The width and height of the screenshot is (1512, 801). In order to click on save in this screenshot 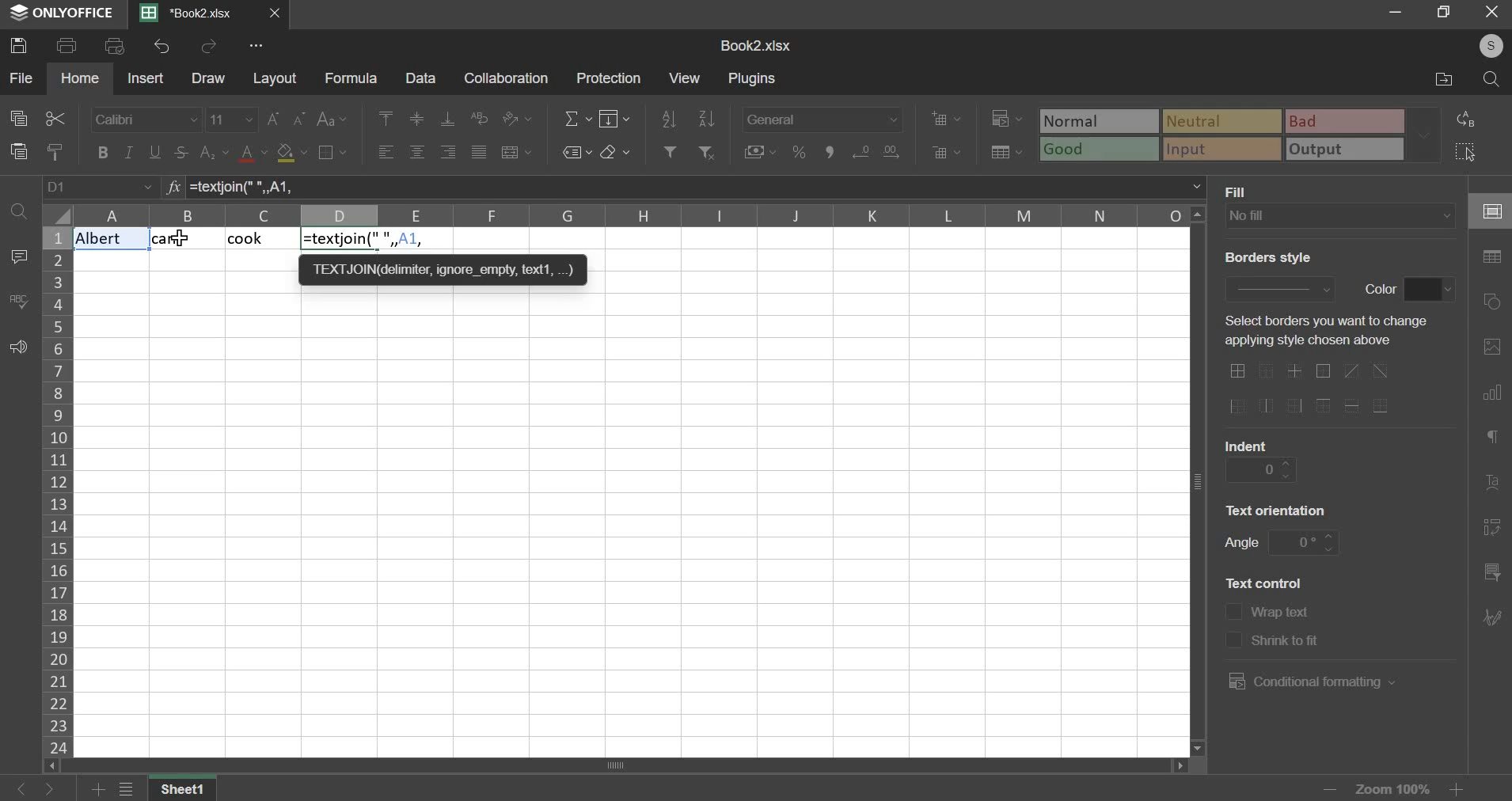, I will do `click(22, 45)`.